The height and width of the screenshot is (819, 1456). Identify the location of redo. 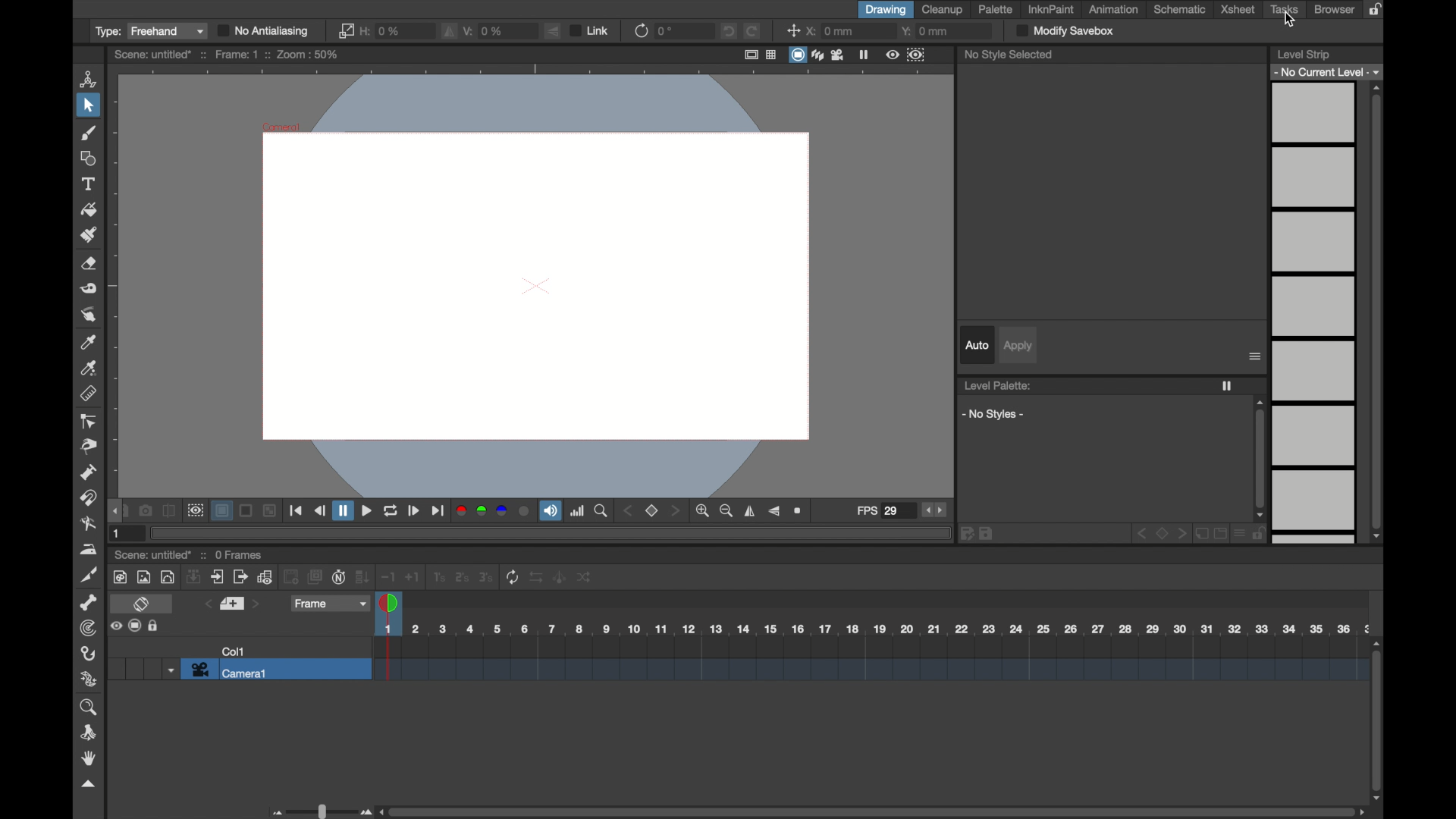
(752, 30).